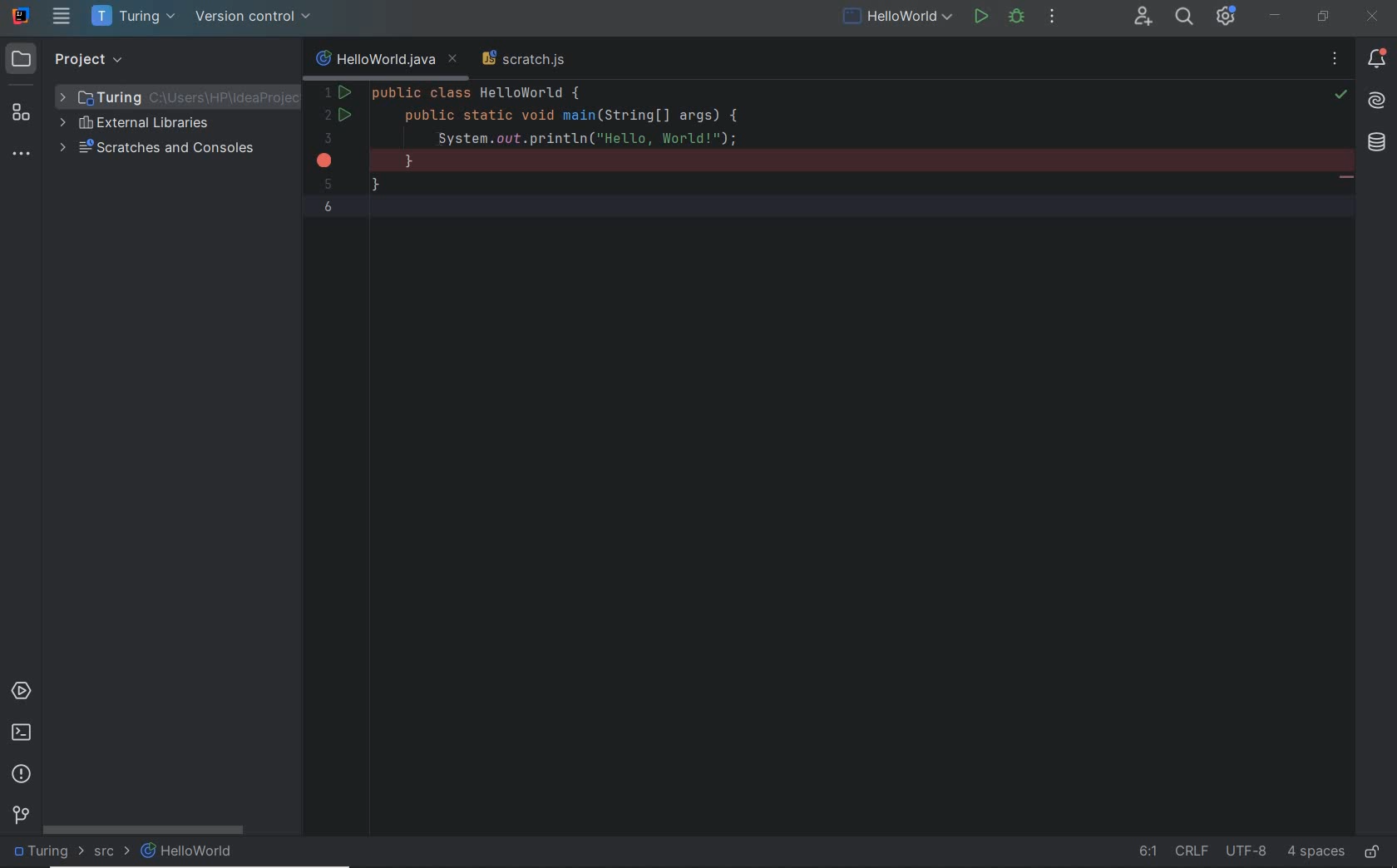  Describe the element at coordinates (76, 59) in the screenshot. I see `project` at that location.